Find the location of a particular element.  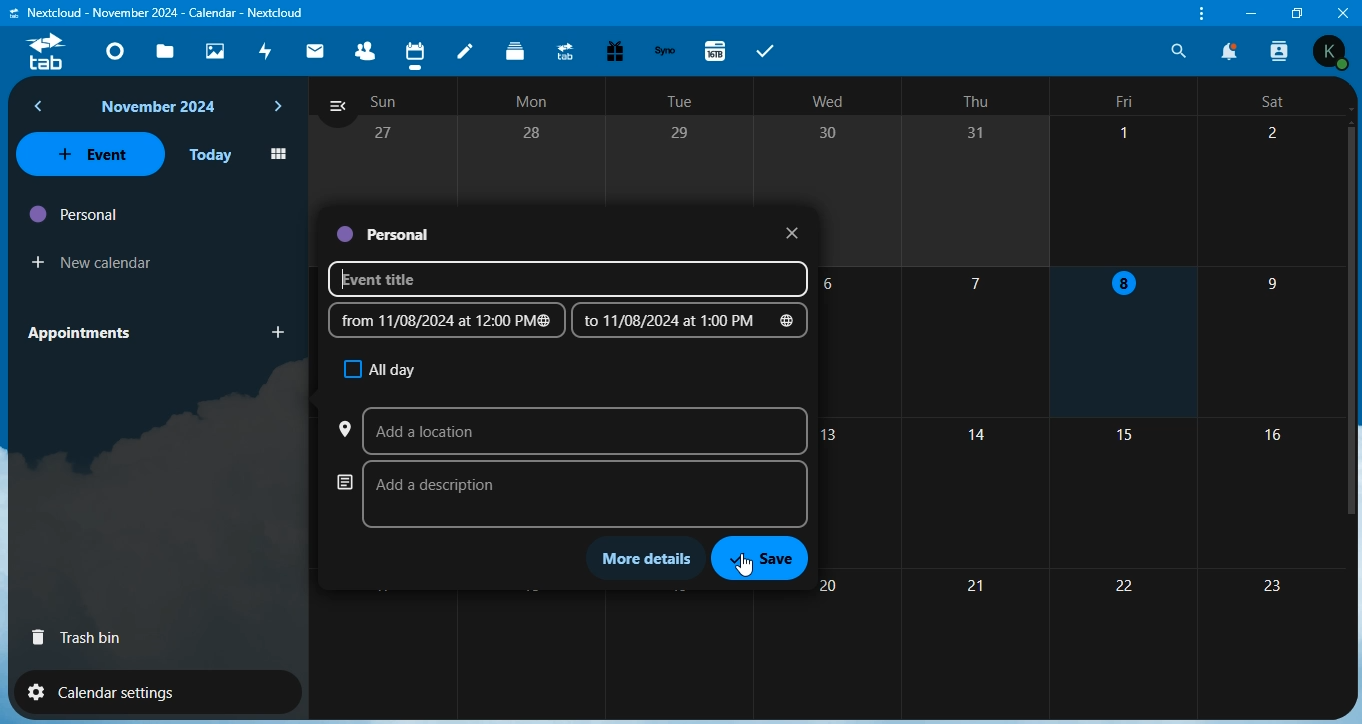

notifications is located at coordinates (1231, 51).